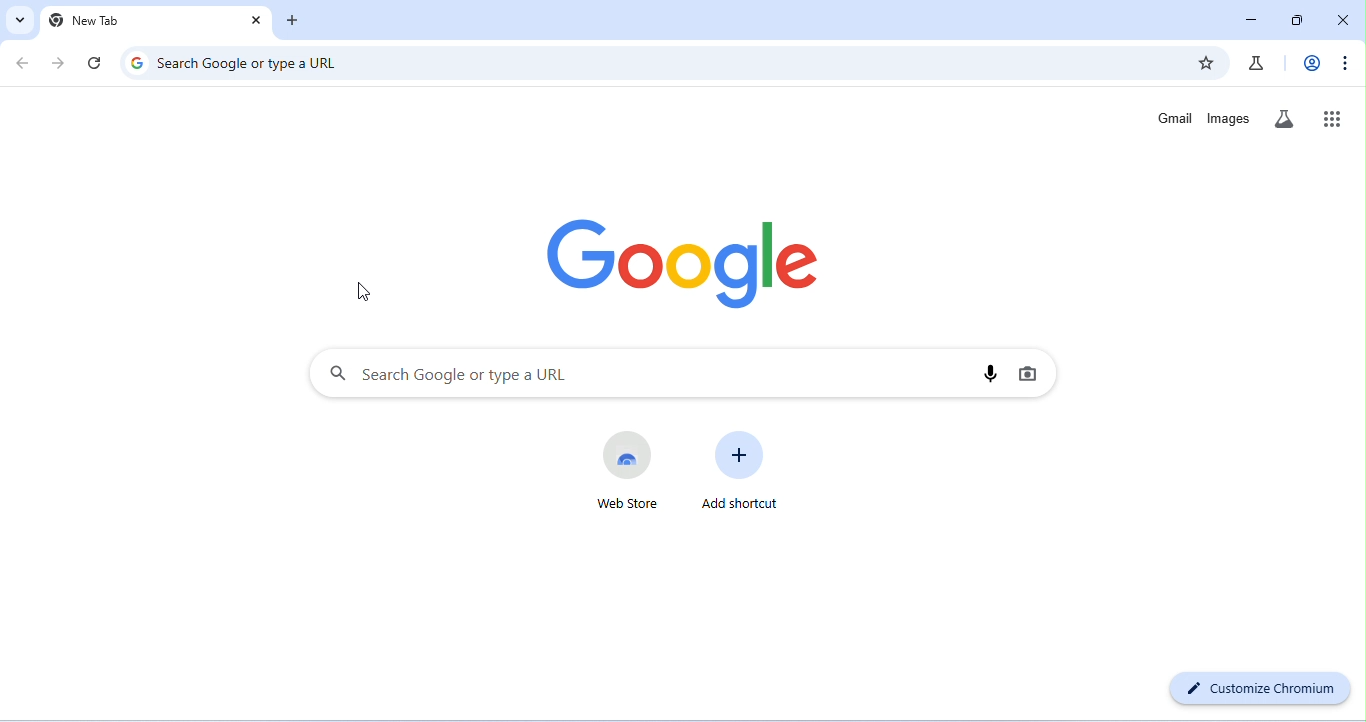 Image resolution: width=1366 pixels, height=722 pixels. Describe the element at coordinates (23, 62) in the screenshot. I see `go back` at that location.